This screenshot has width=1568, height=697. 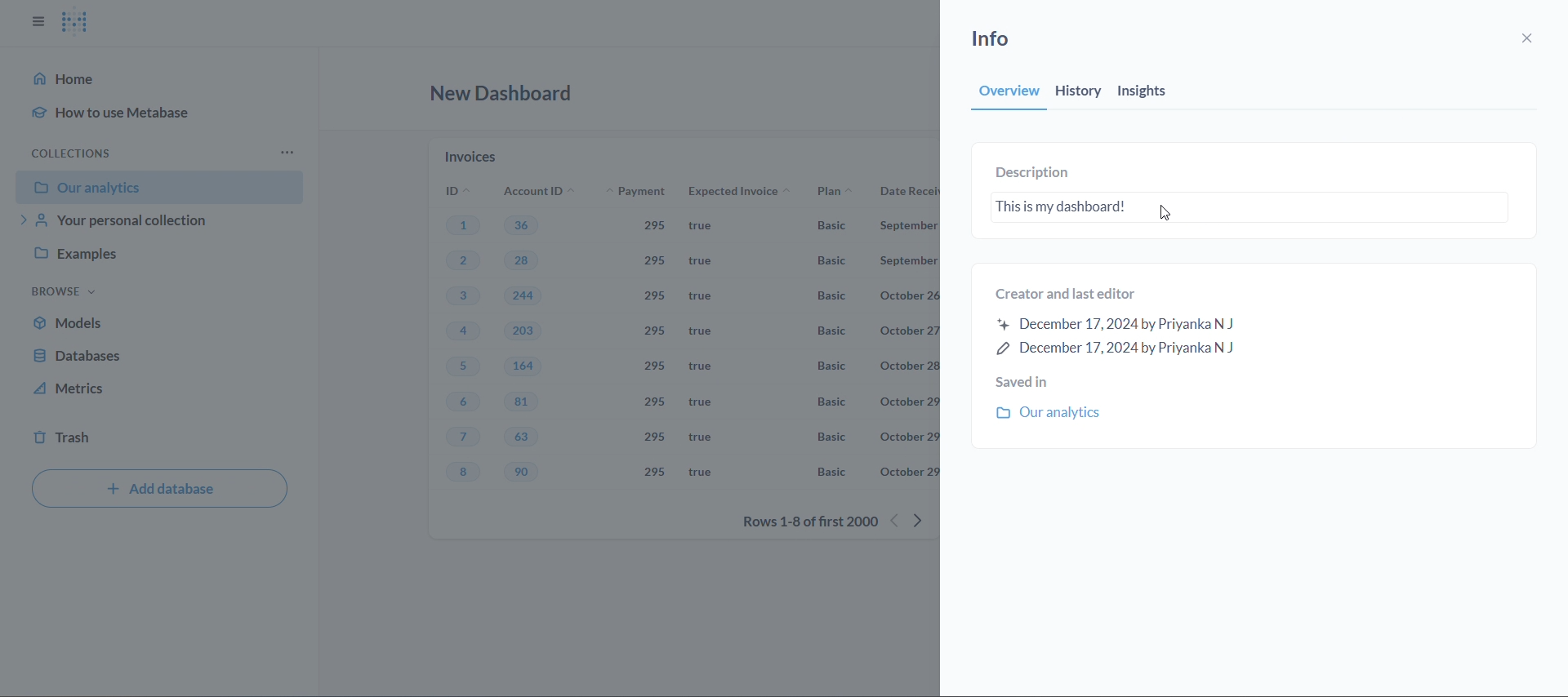 What do you see at coordinates (698, 437) in the screenshot?
I see `true` at bounding box center [698, 437].